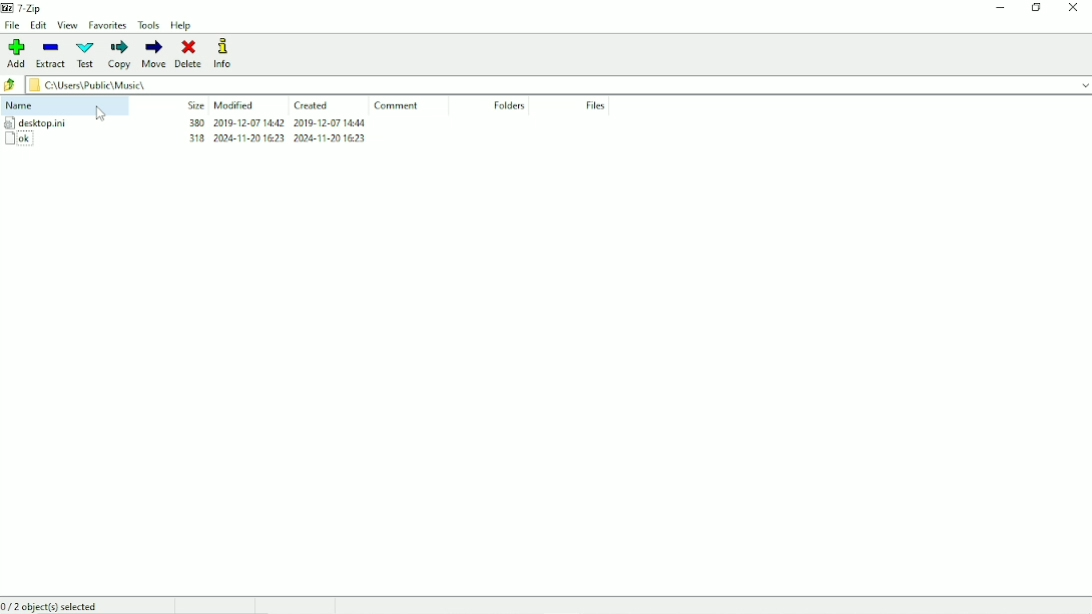 Image resolution: width=1092 pixels, height=614 pixels. I want to click on 0/2 object(s) selected, so click(52, 605).